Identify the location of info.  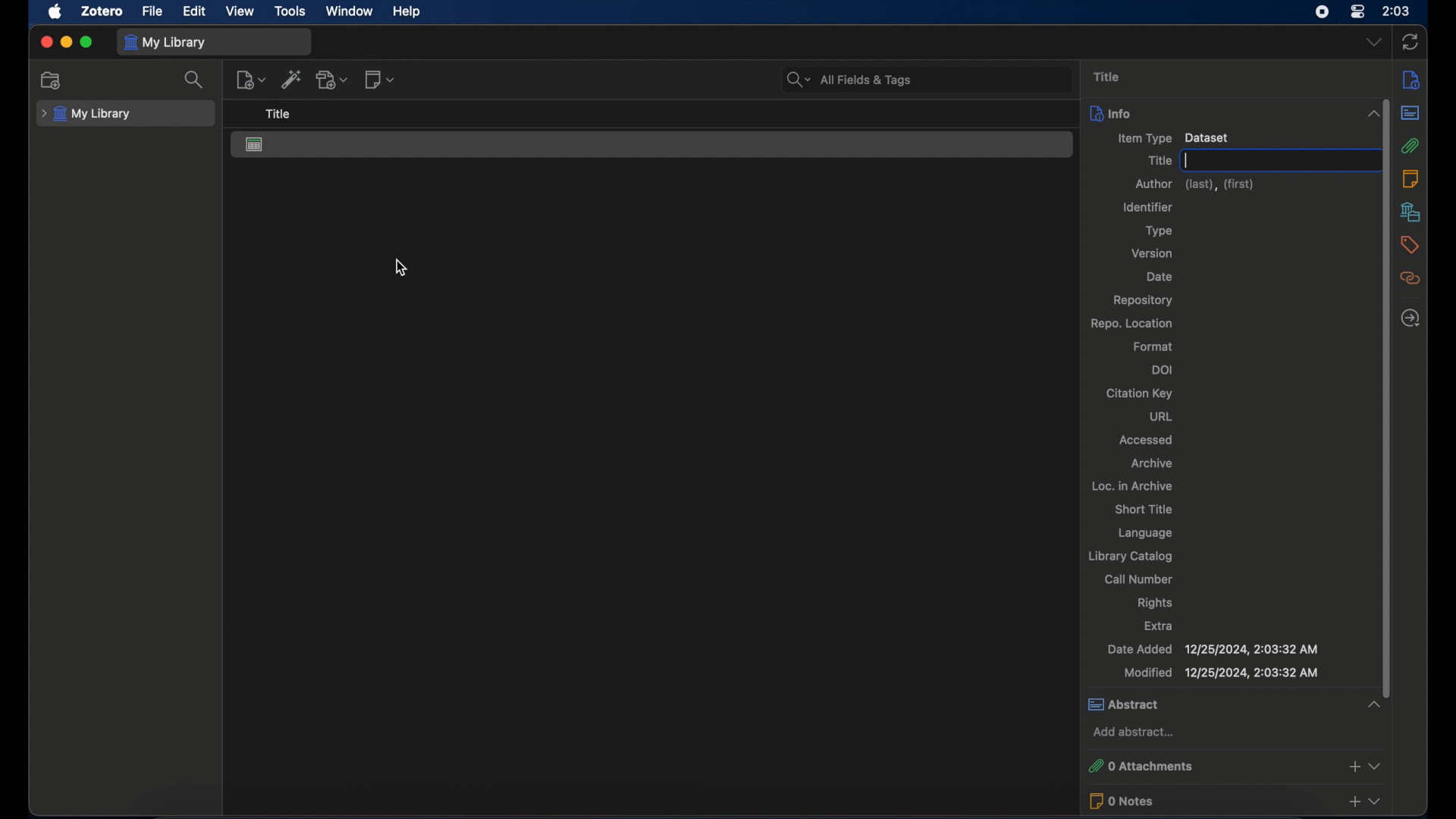
(1235, 113).